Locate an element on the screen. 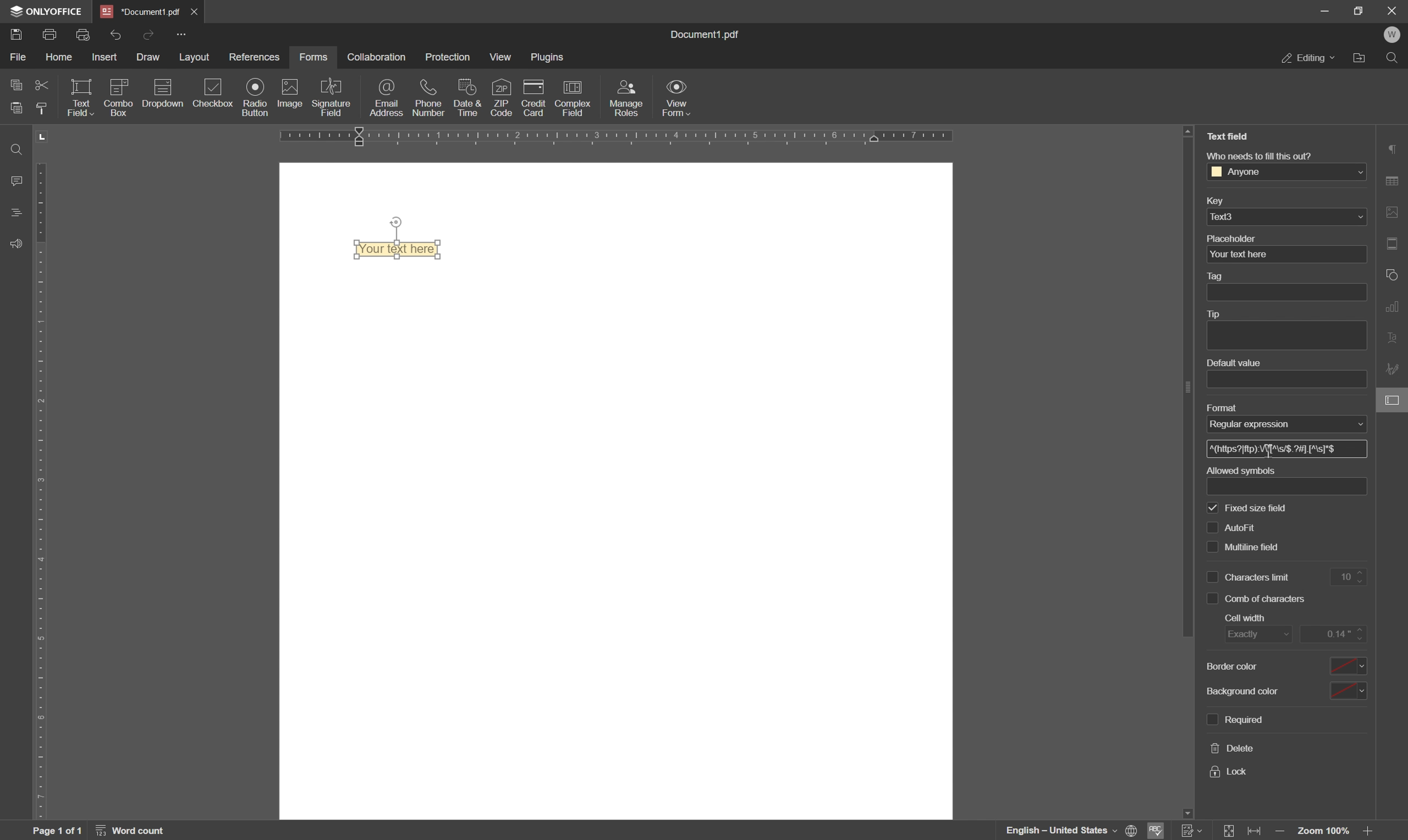 Image resolution: width=1408 pixels, height=840 pixels. fit to width is located at coordinates (1257, 832).